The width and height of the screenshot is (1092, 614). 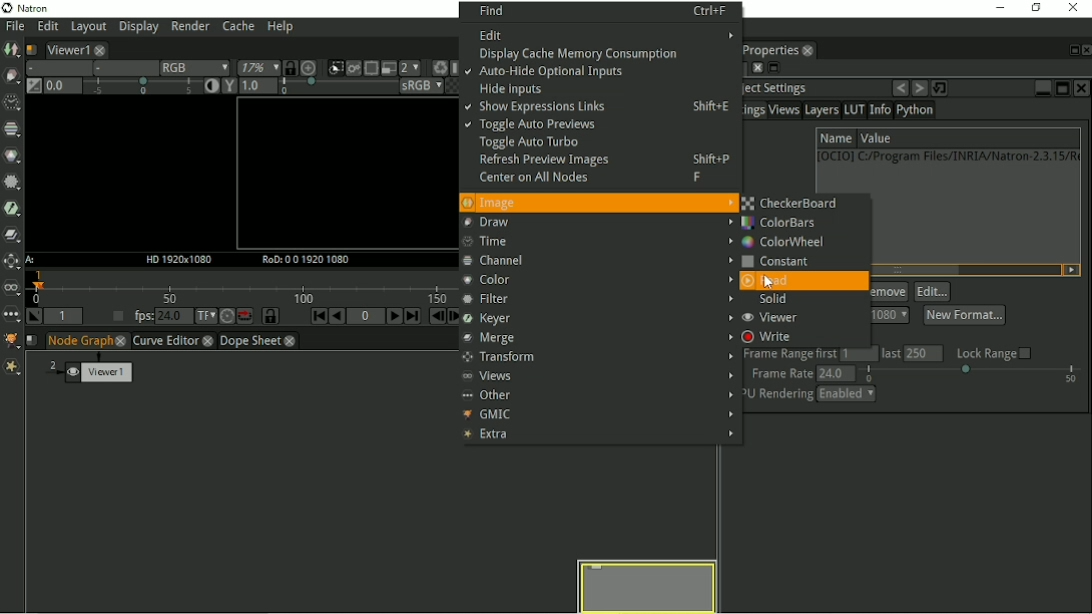 What do you see at coordinates (835, 137) in the screenshot?
I see `Name` at bounding box center [835, 137].